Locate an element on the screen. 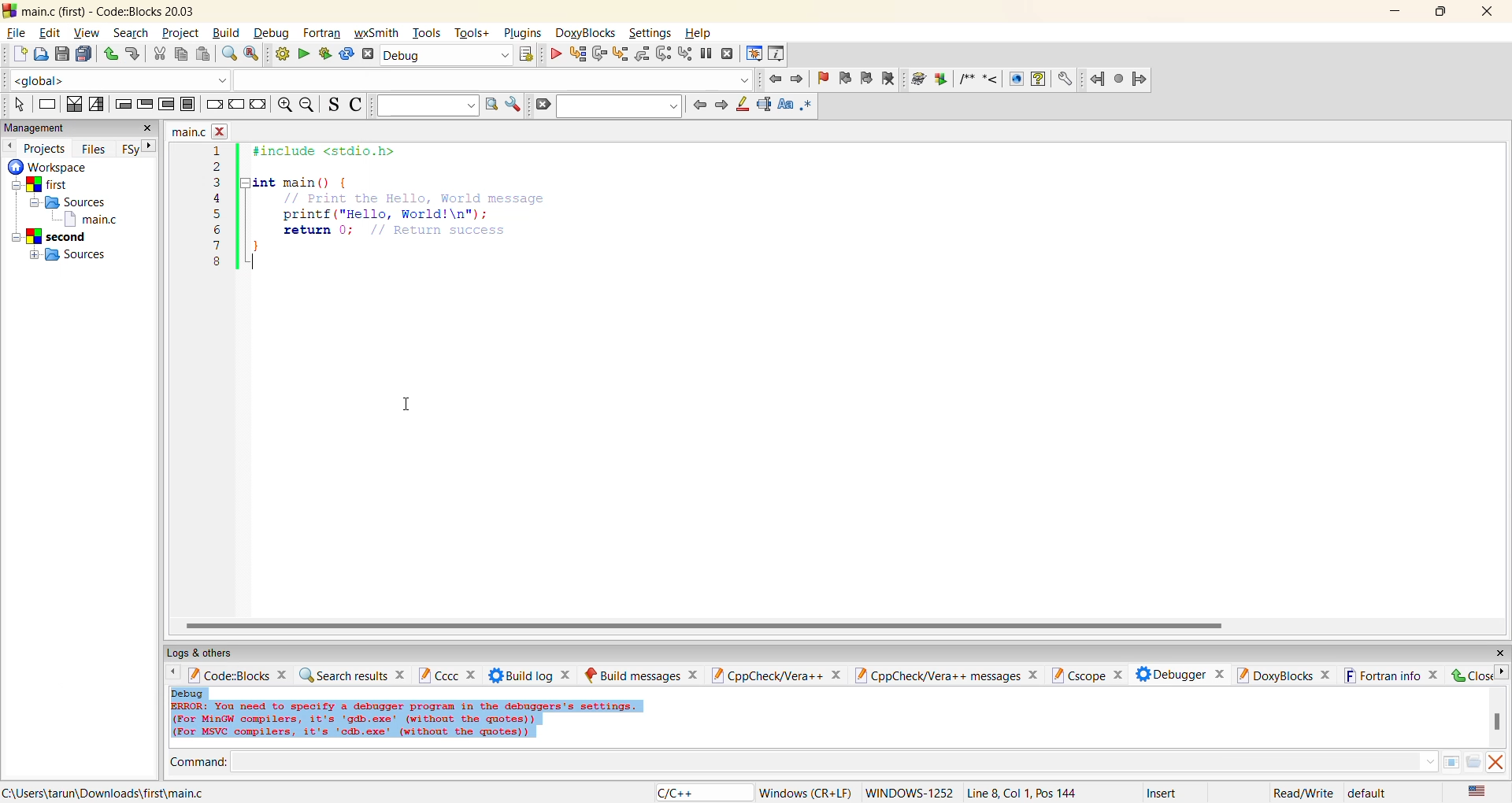  jump forward is located at coordinates (798, 80).